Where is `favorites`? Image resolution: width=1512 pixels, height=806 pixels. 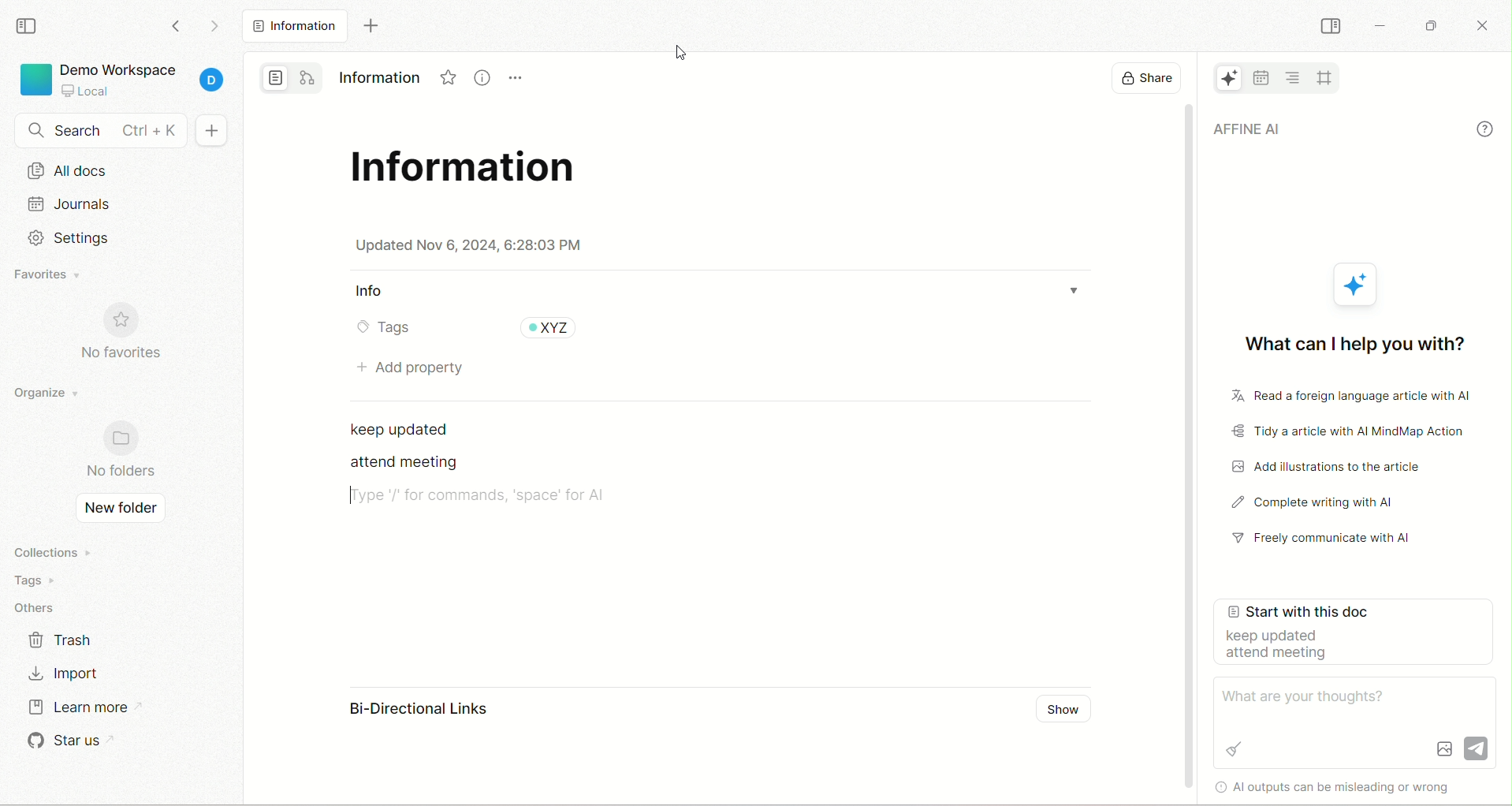 favorites is located at coordinates (48, 274).